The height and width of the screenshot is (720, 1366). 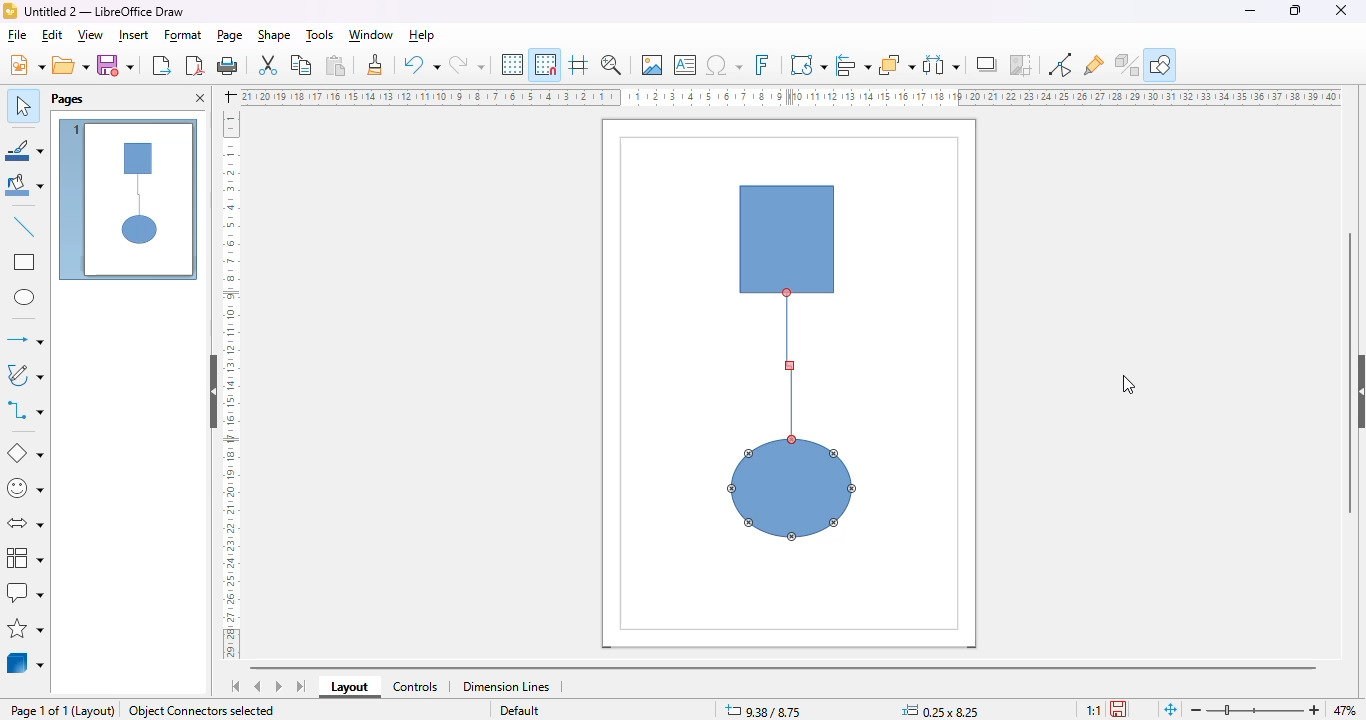 I want to click on align objects, so click(x=855, y=65).